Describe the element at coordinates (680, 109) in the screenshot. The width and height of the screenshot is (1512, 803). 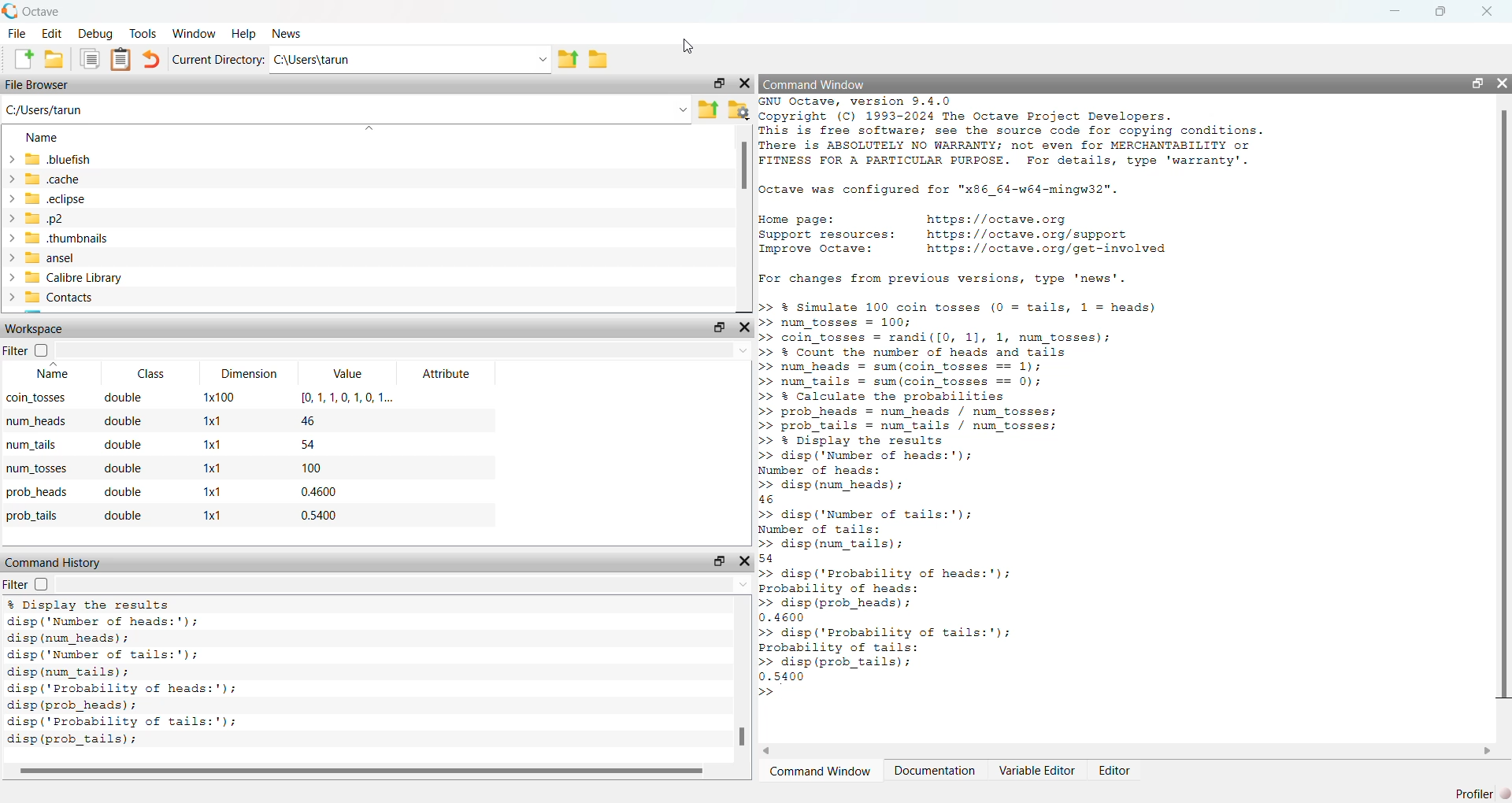
I see `dropdown` at that location.